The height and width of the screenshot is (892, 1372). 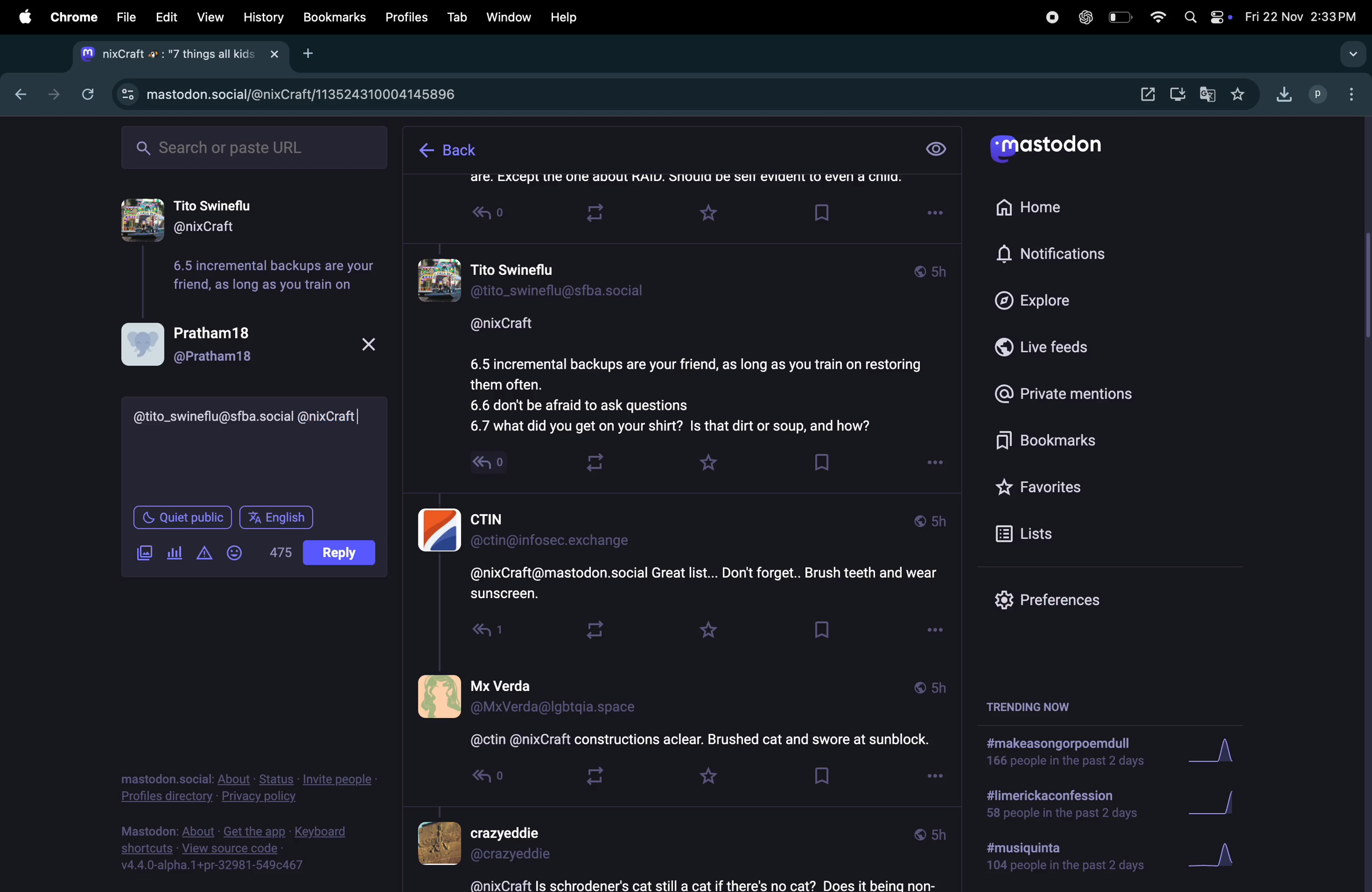 I want to click on private mentions, so click(x=1077, y=394).